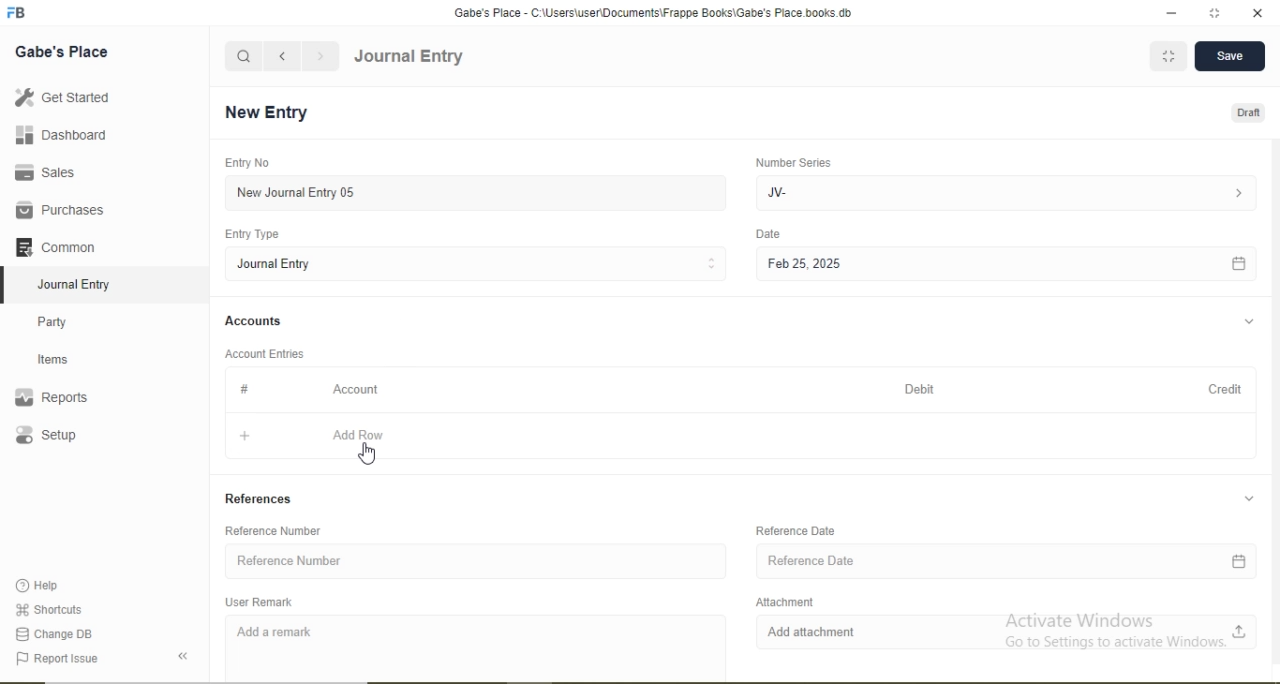 The height and width of the screenshot is (684, 1280). What do you see at coordinates (357, 389) in the screenshot?
I see `Account` at bounding box center [357, 389].